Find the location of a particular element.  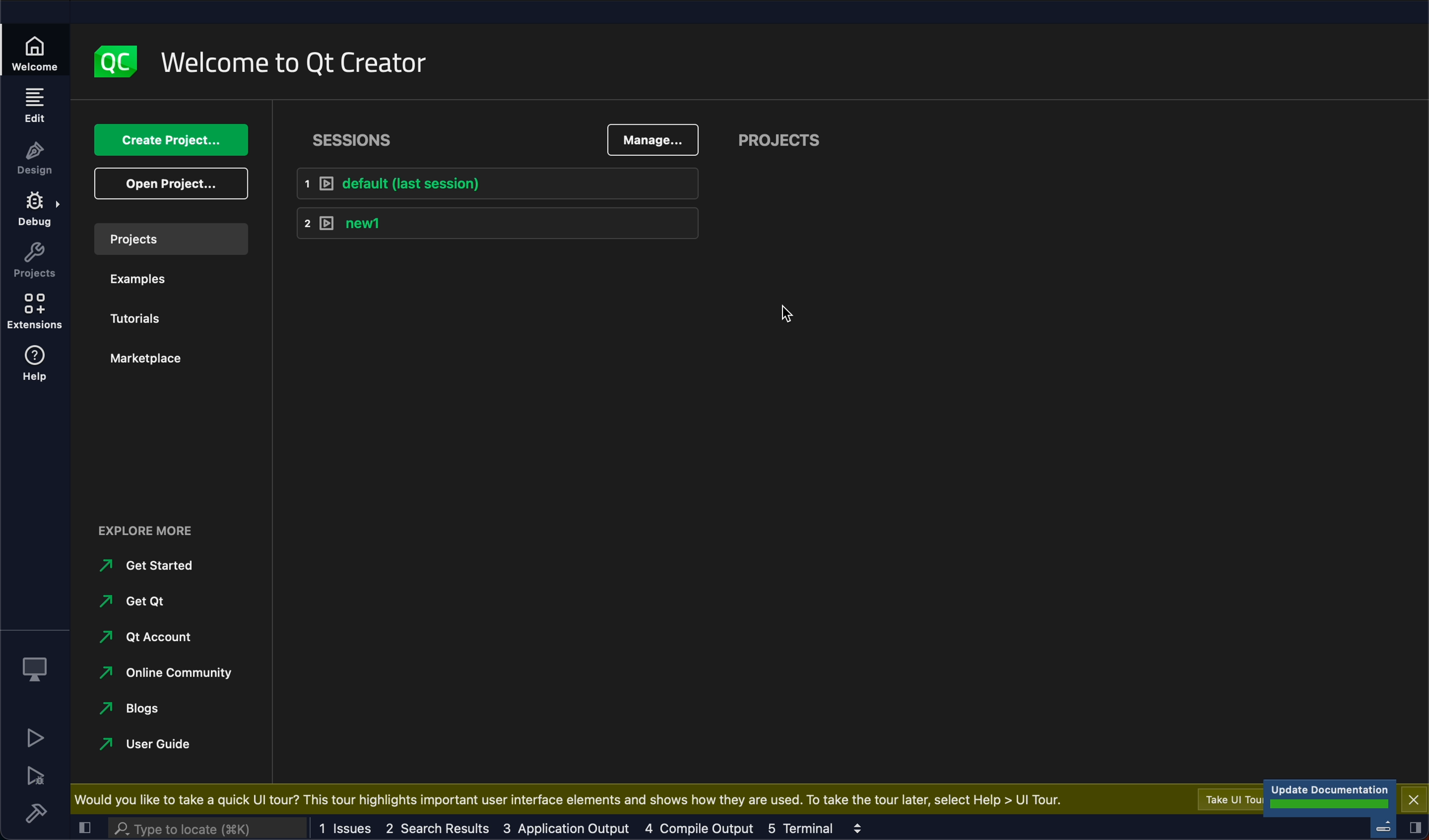

Take UI tour is located at coordinates (1232, 799).